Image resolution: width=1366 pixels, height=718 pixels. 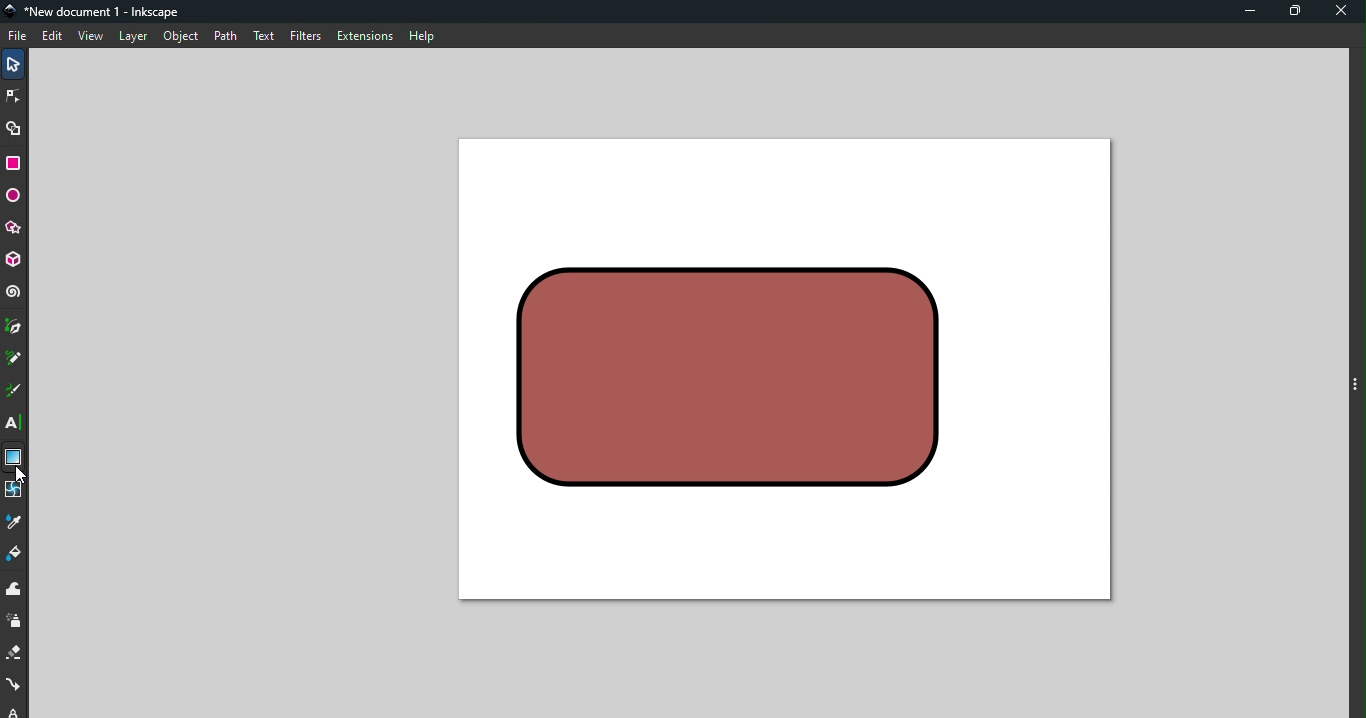 What do you see at coordinates (14, 12) in the screenshot?
I see `logo` at bounding box center [14, 12].